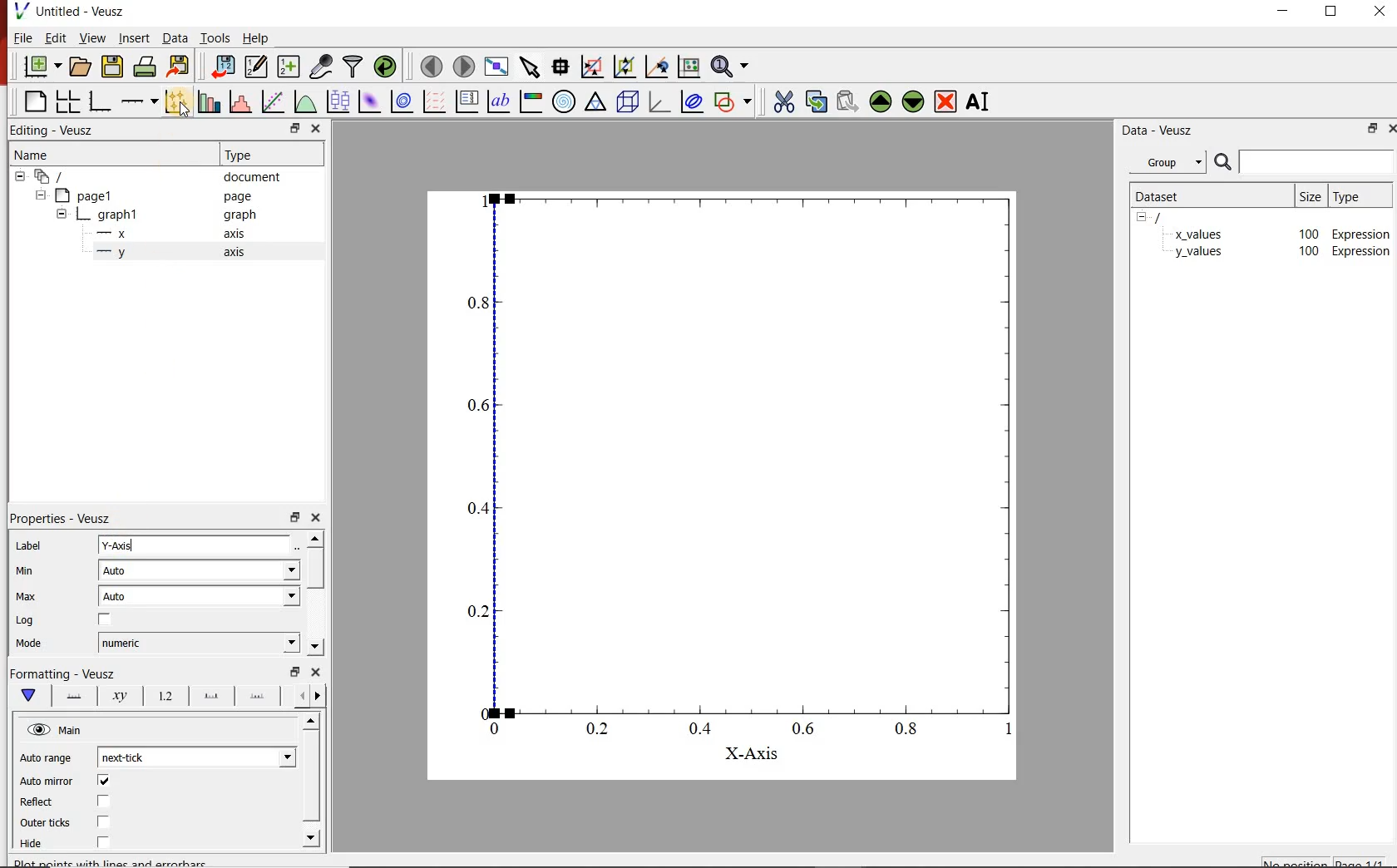  I want to click on axis lane, so click(75, 698).